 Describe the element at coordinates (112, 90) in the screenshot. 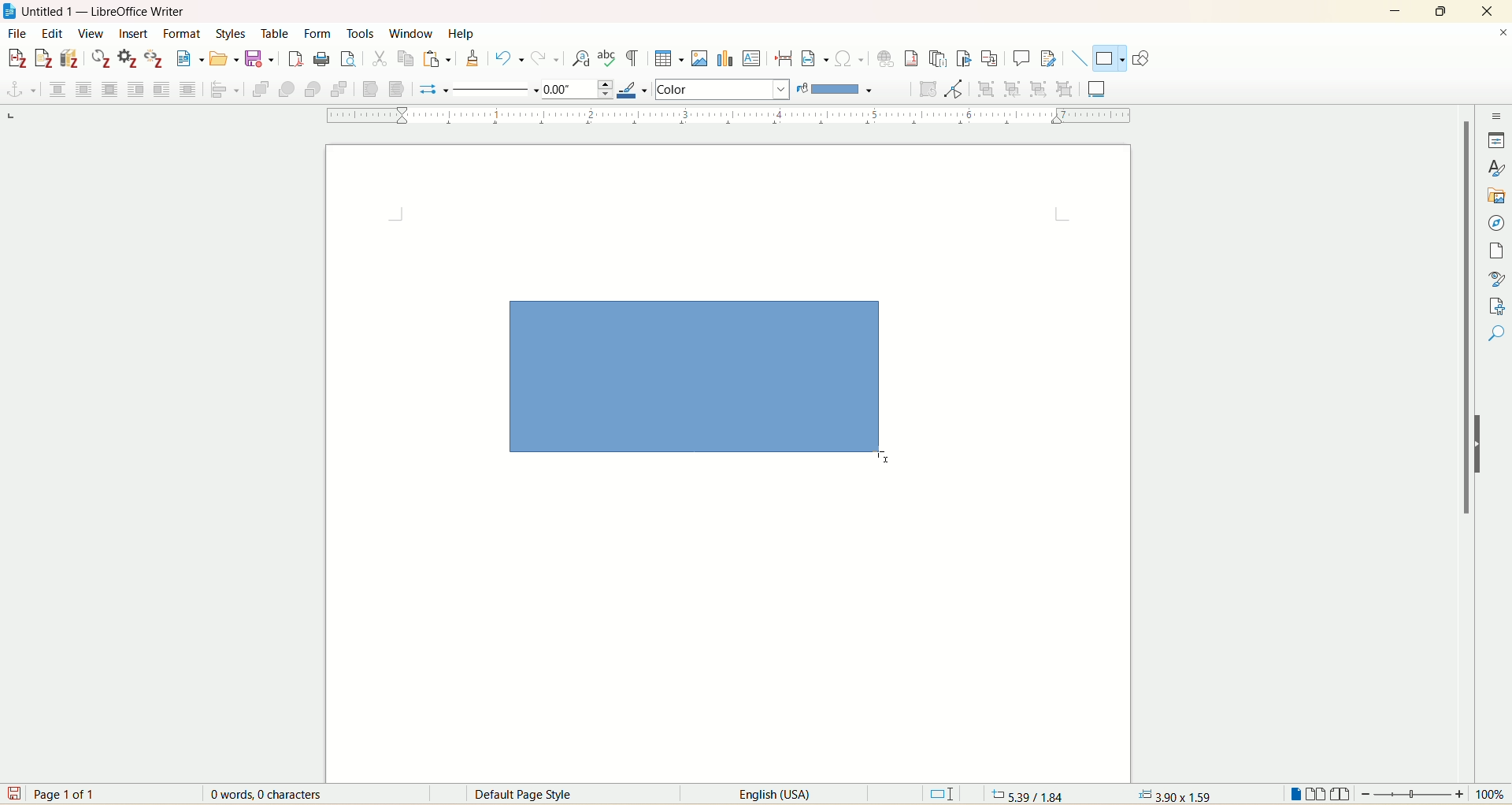

I see `optimal` at that location.